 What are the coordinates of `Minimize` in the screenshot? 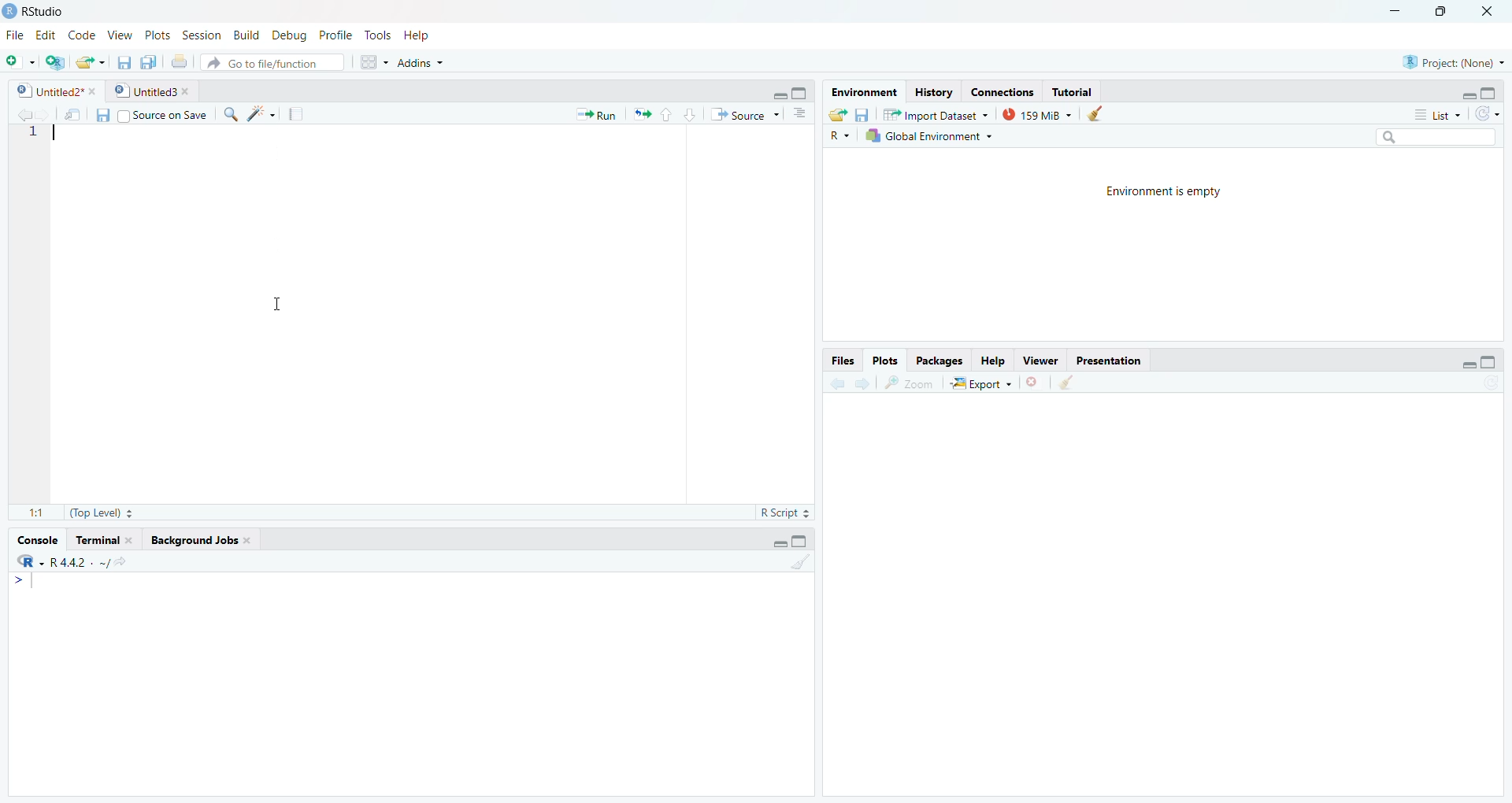 It's located at (1459, 363).